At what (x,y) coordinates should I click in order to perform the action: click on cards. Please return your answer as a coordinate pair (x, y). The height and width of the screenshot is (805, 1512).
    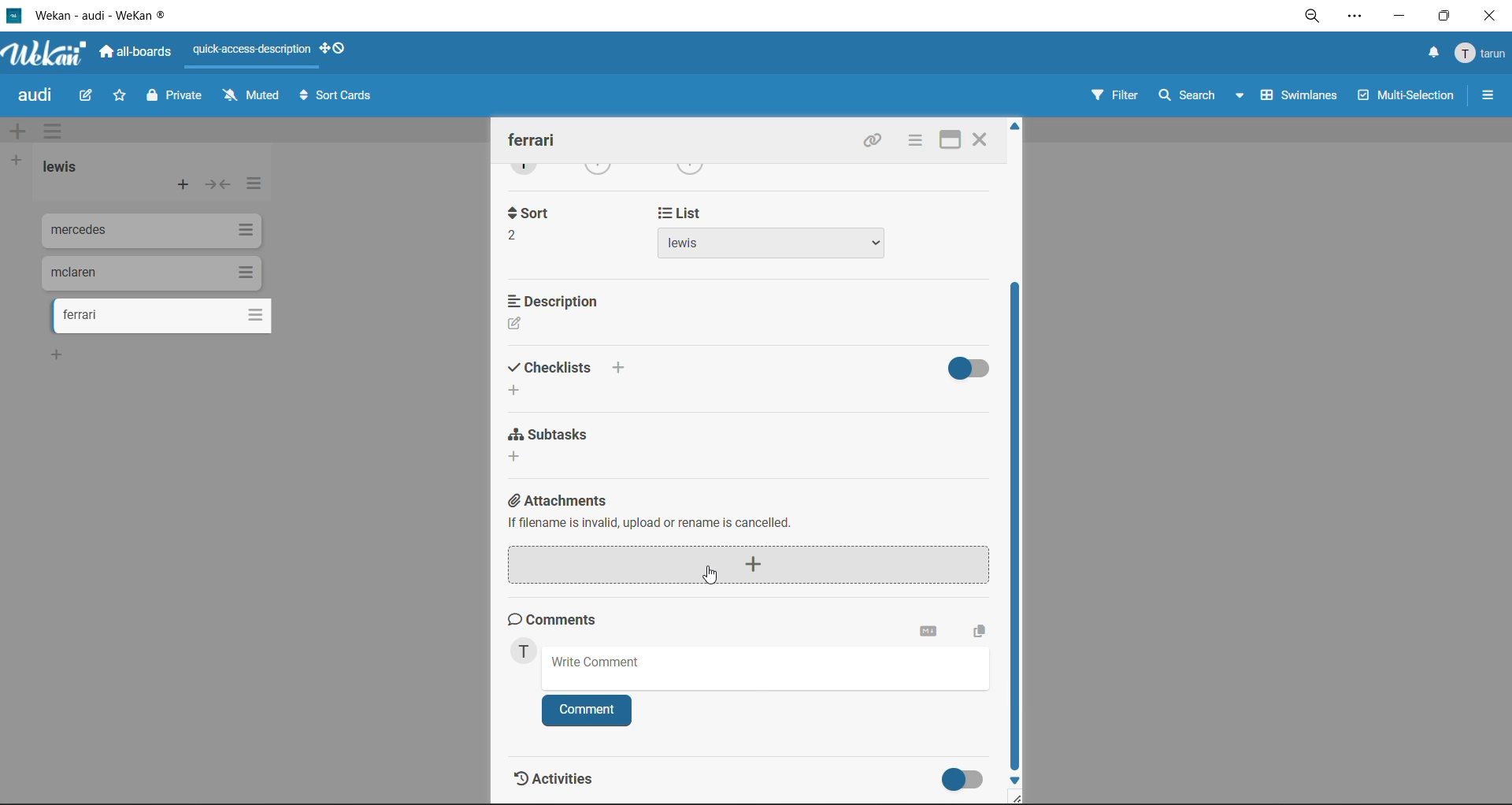
    Looking at the image, I should click on (169, 317).